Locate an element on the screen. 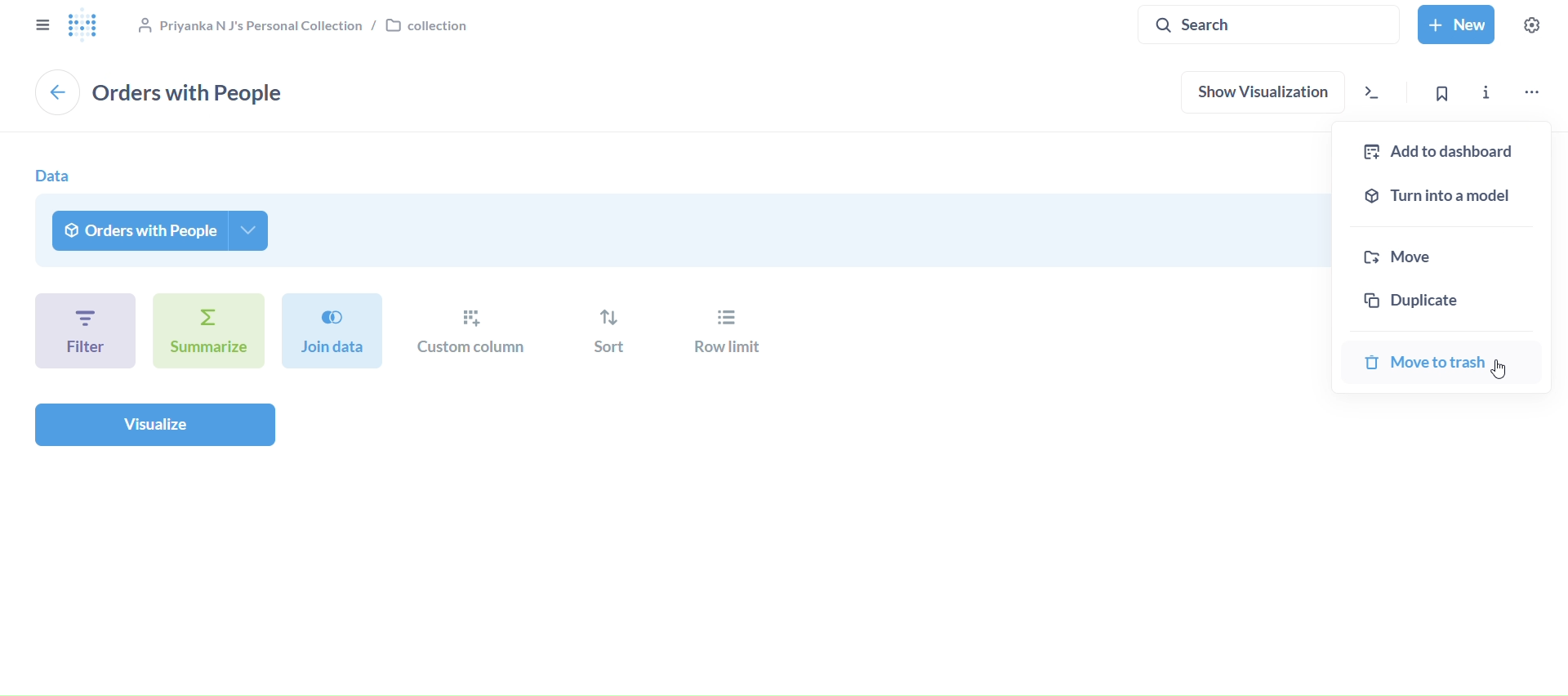 This screenshot has width=1568, height=696. filter is located at coordinates (85, 330).